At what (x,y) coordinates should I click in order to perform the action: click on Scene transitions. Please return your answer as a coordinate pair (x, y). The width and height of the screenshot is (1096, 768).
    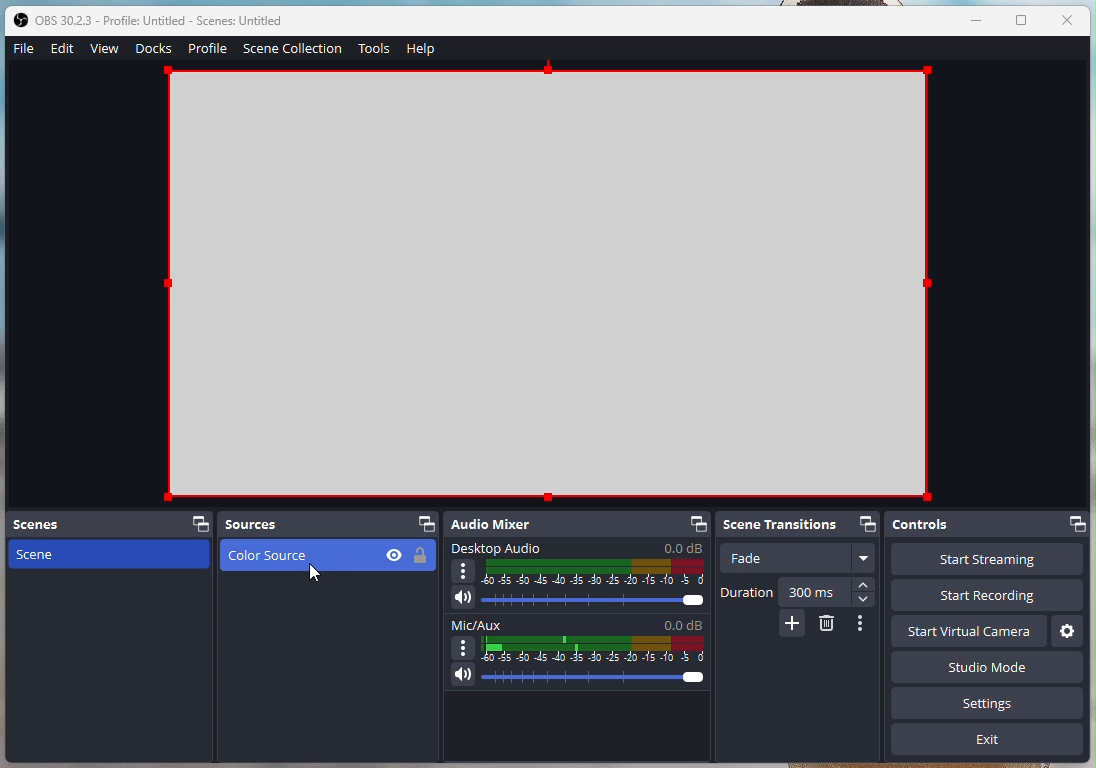
    Looking at the image, I should click on (802, 524).